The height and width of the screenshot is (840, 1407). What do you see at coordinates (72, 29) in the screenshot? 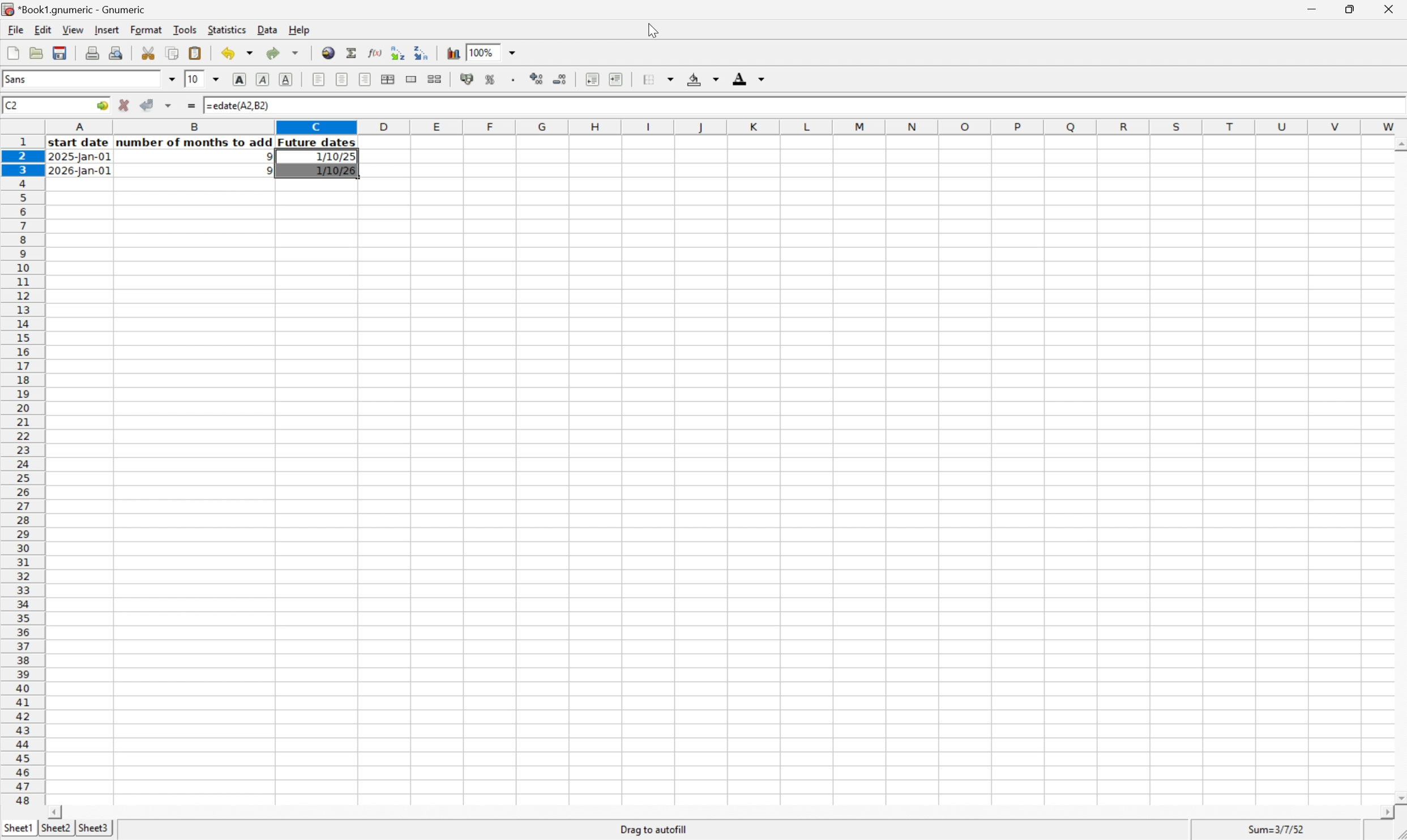
I see `View` at bounding box center [72, 29].